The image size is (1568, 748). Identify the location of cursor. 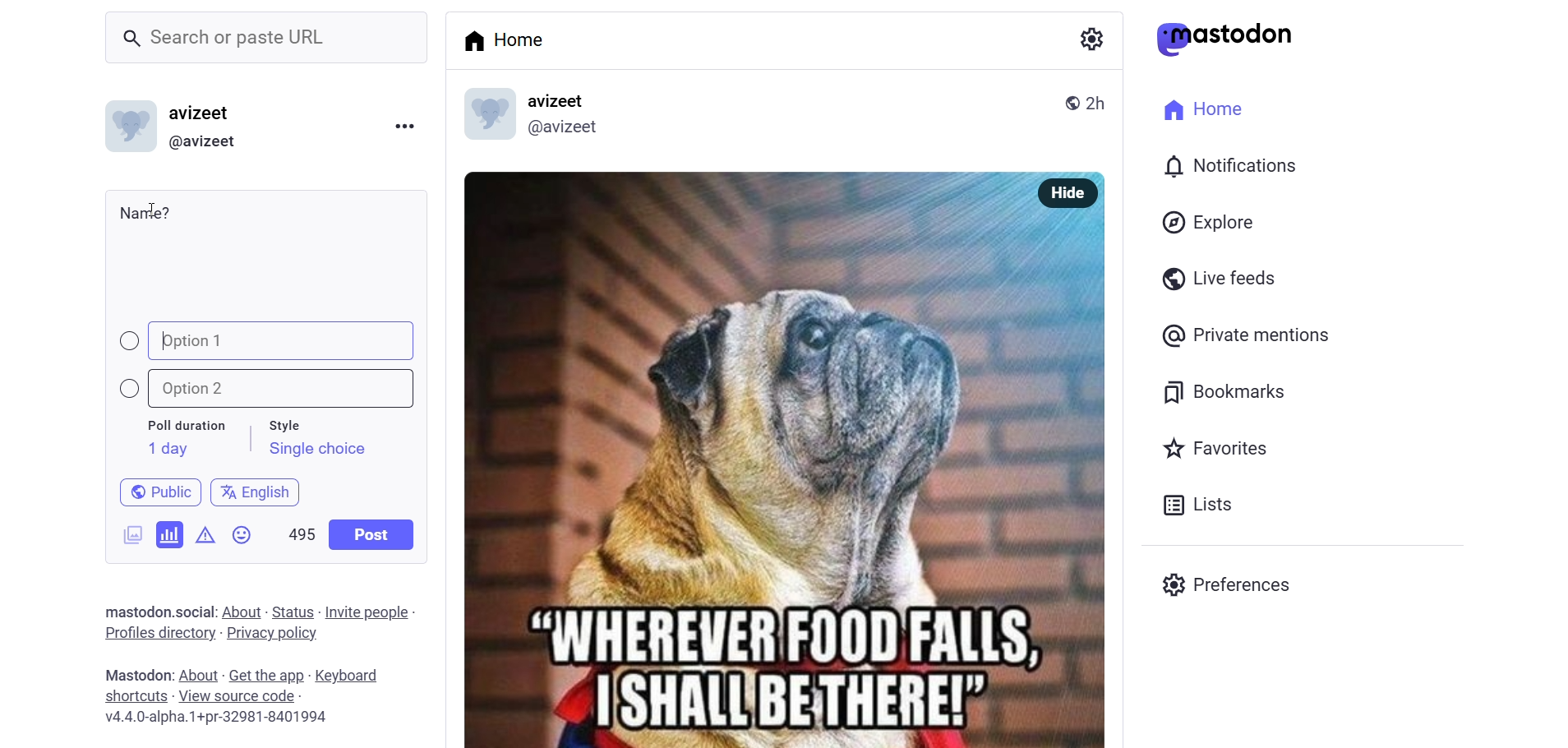
(160, 208).